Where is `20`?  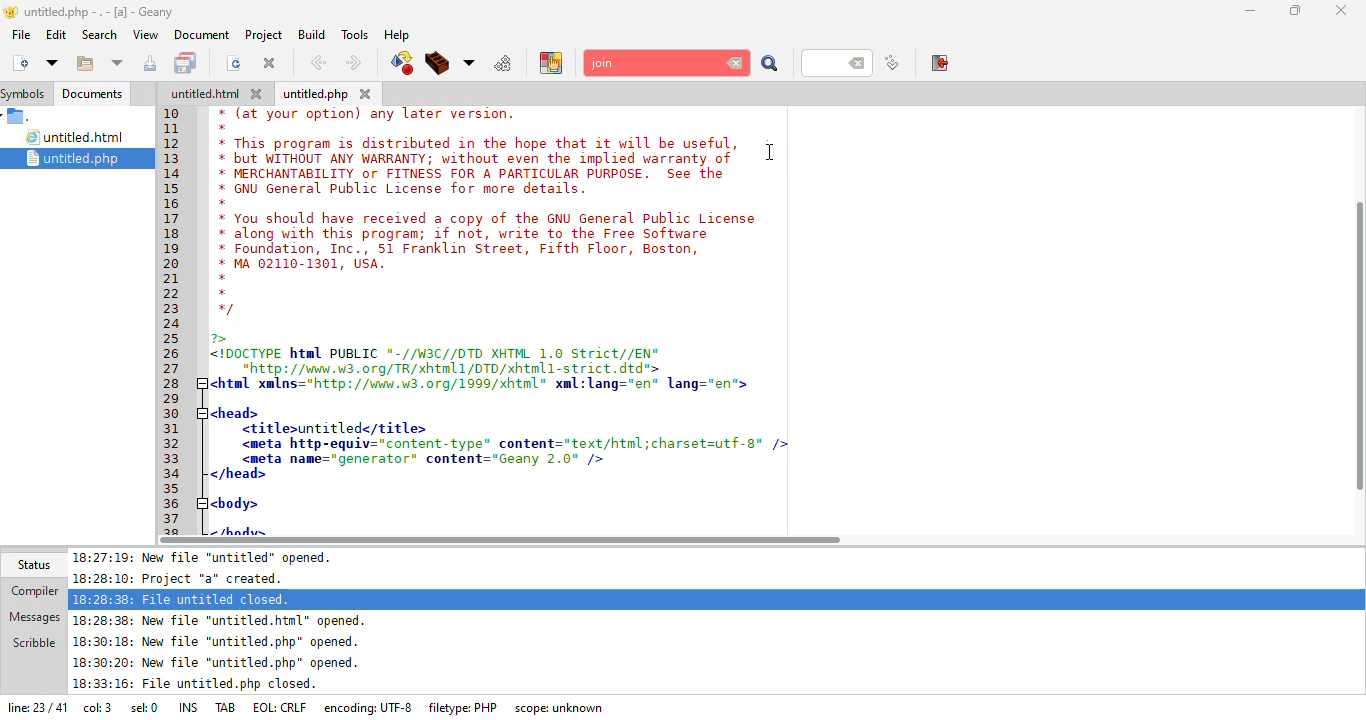 20 is located at coordinates (171, 262).